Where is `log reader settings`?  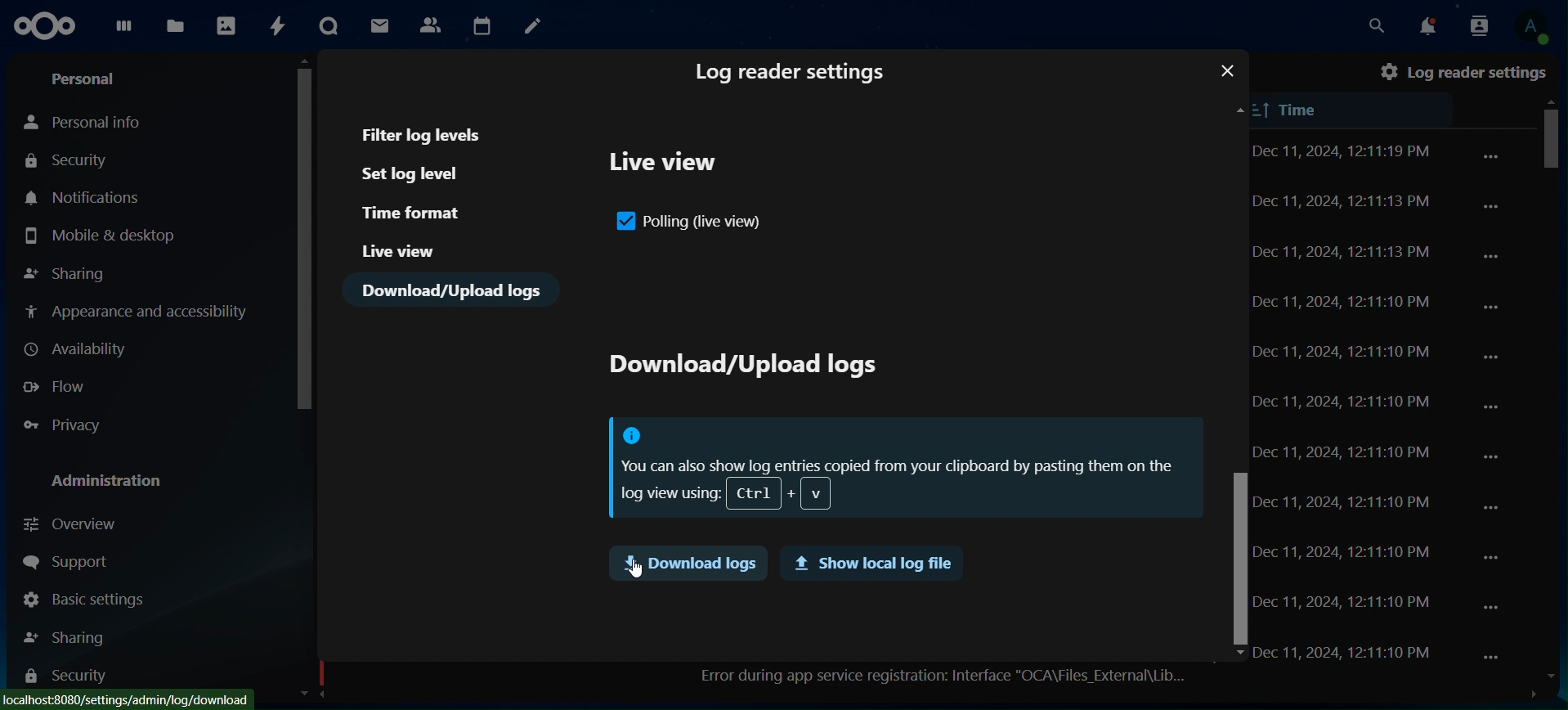 log reader settings is located at coordinates (1463, 71).